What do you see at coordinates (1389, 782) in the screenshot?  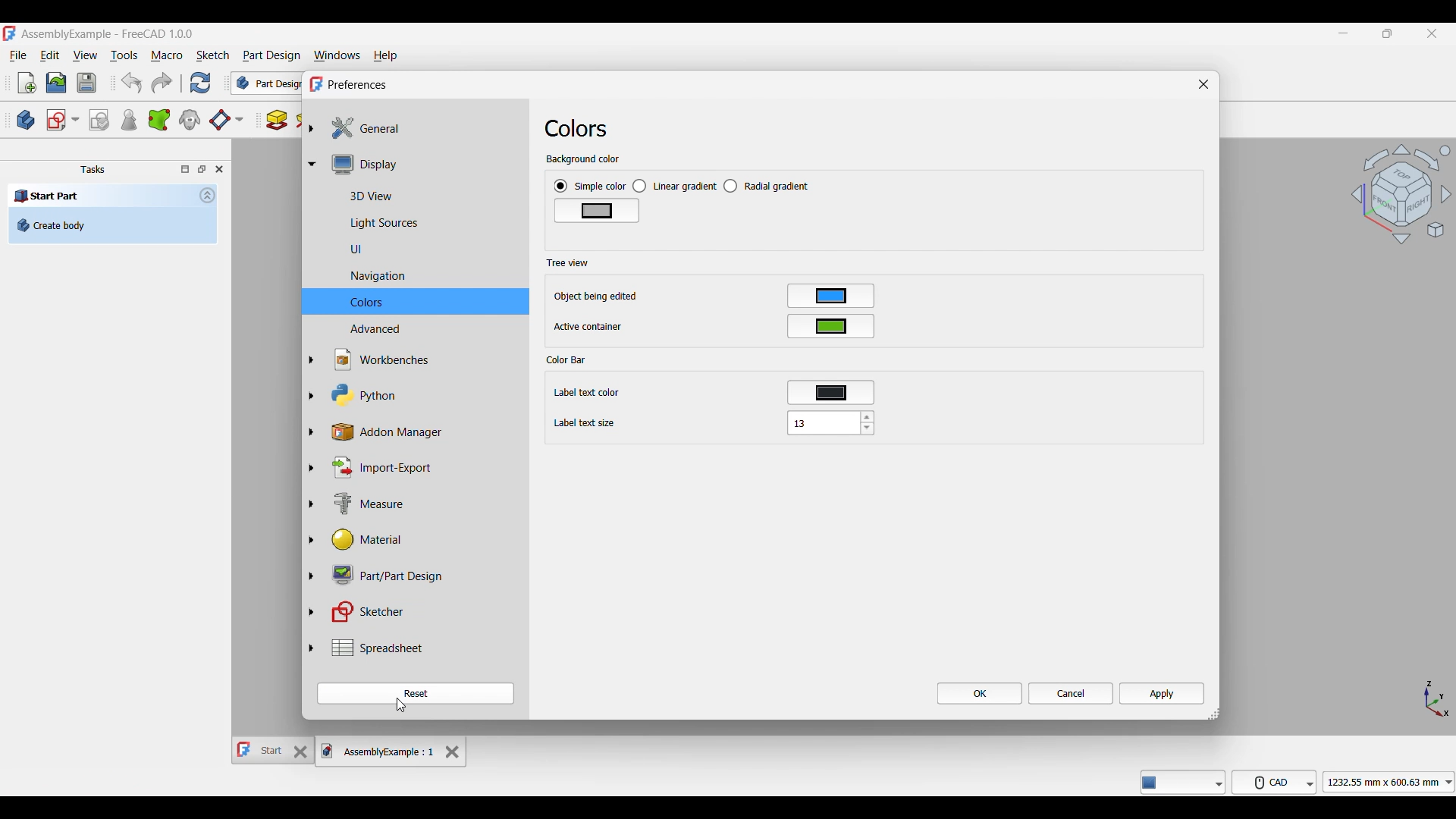 I see `Canvas dimension options` at bounding box center [1389, 782].